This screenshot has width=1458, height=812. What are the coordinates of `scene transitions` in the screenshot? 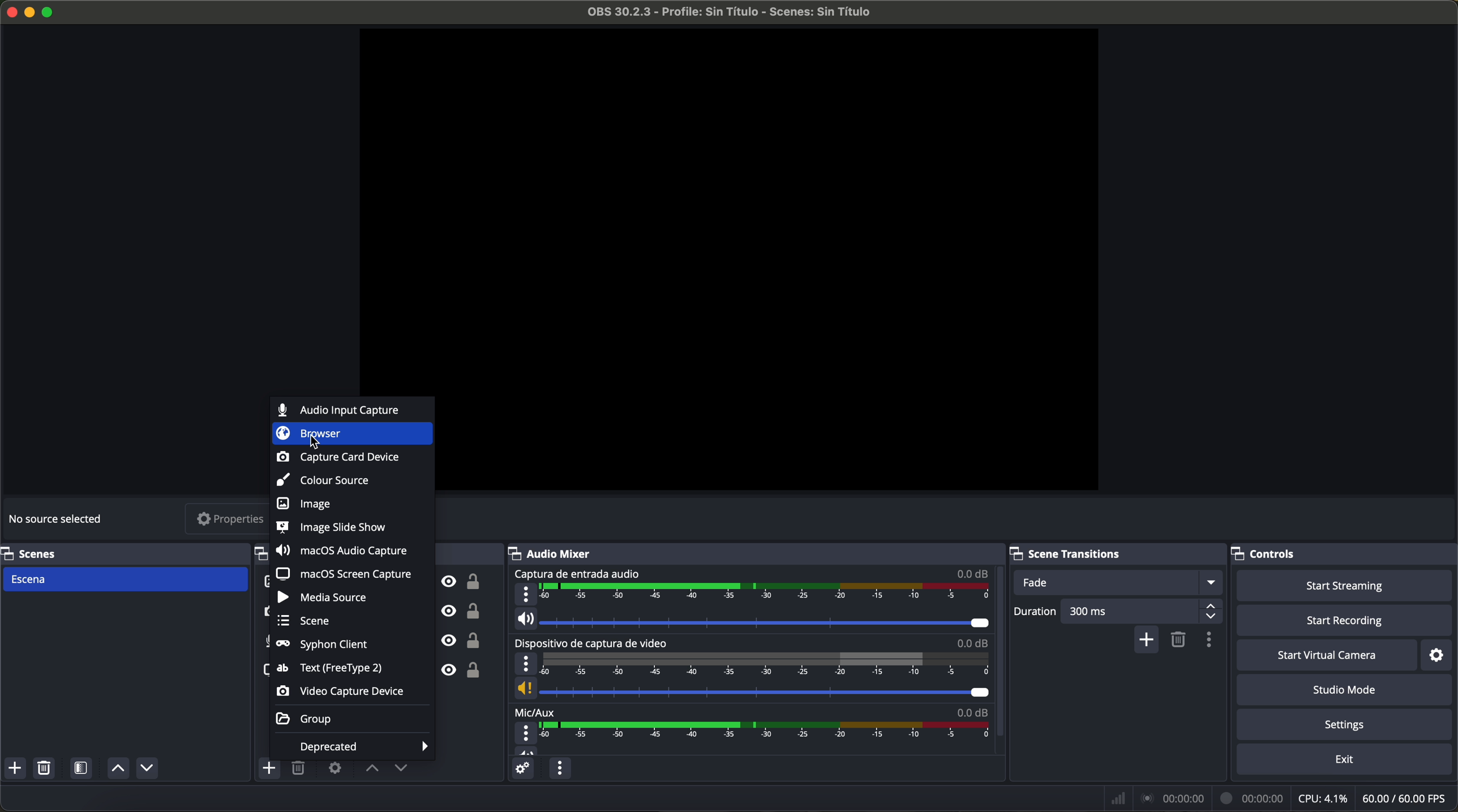 It's located at (1070, 553).